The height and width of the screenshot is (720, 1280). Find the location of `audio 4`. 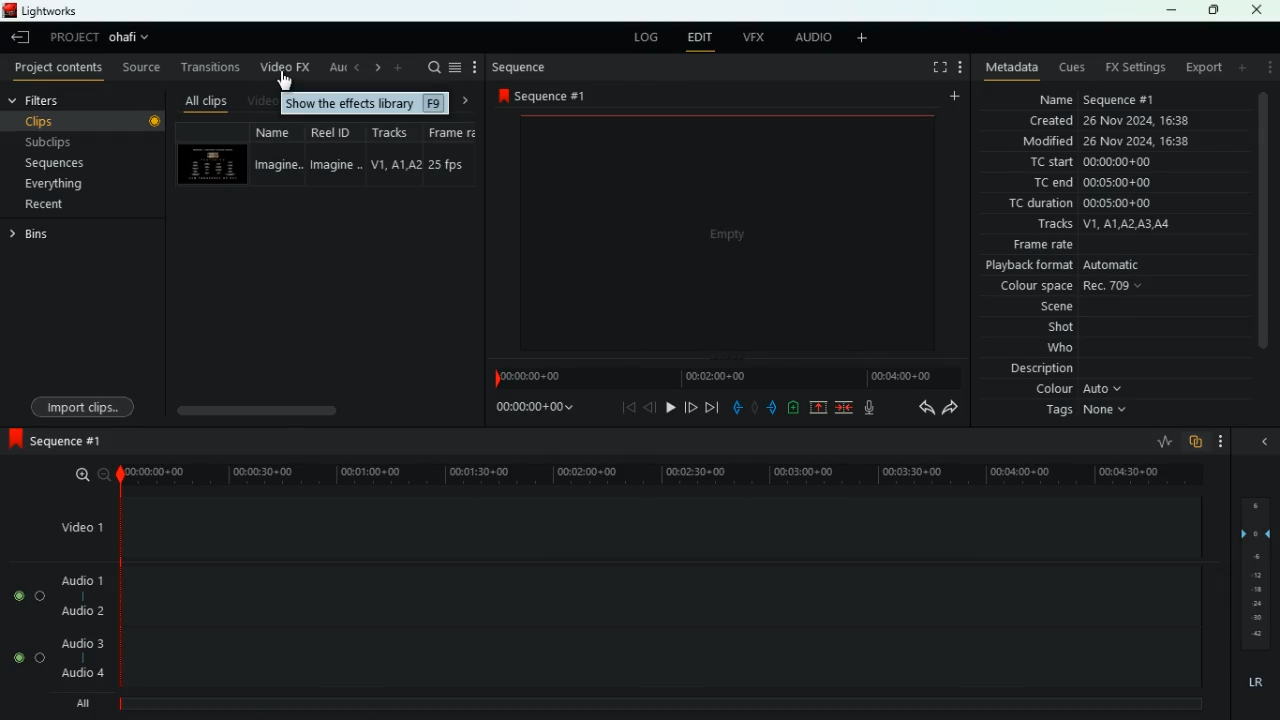

audio 4 is located at coordinates (84, 673).